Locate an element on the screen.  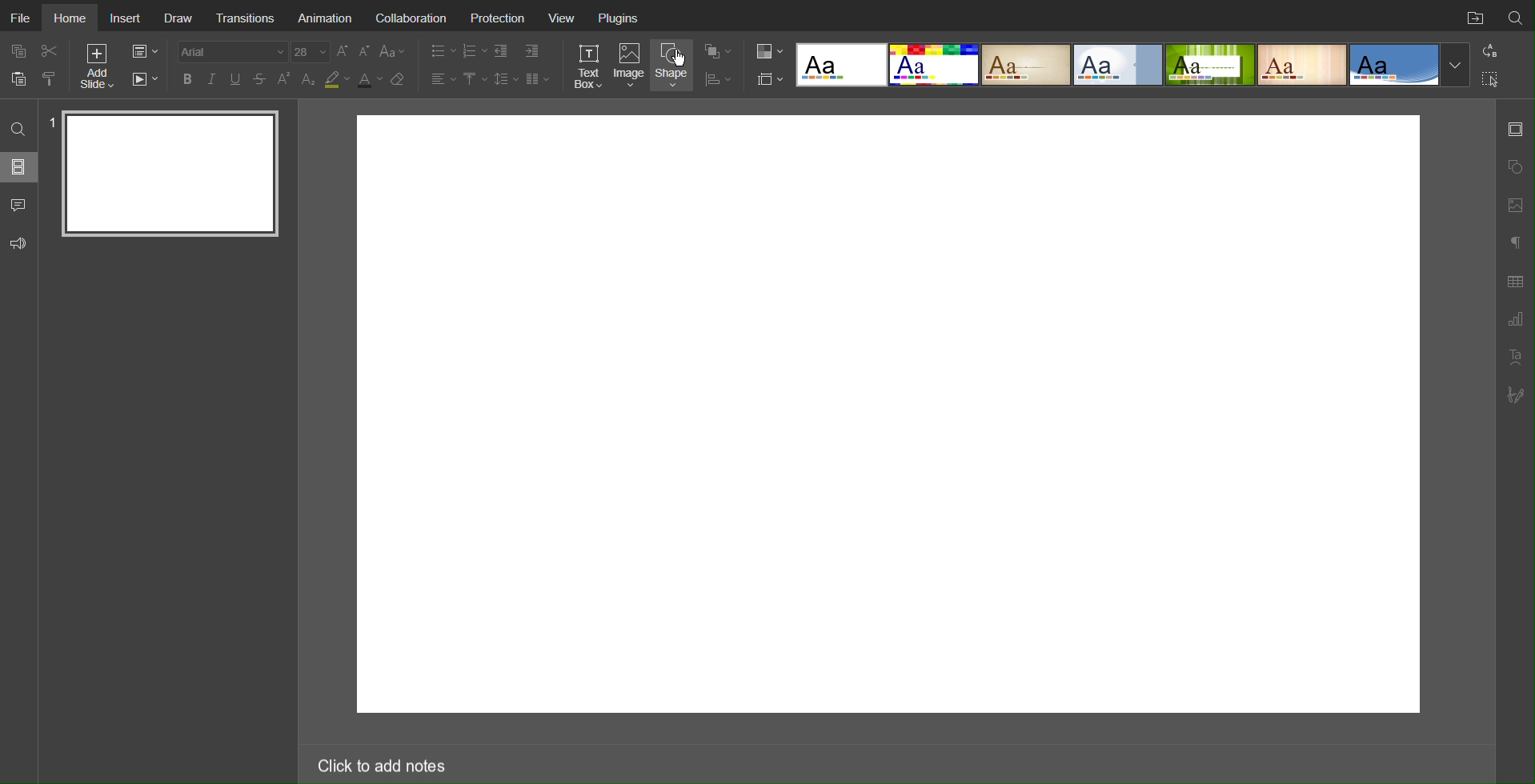
Number List is located at coordinates (474, 51).